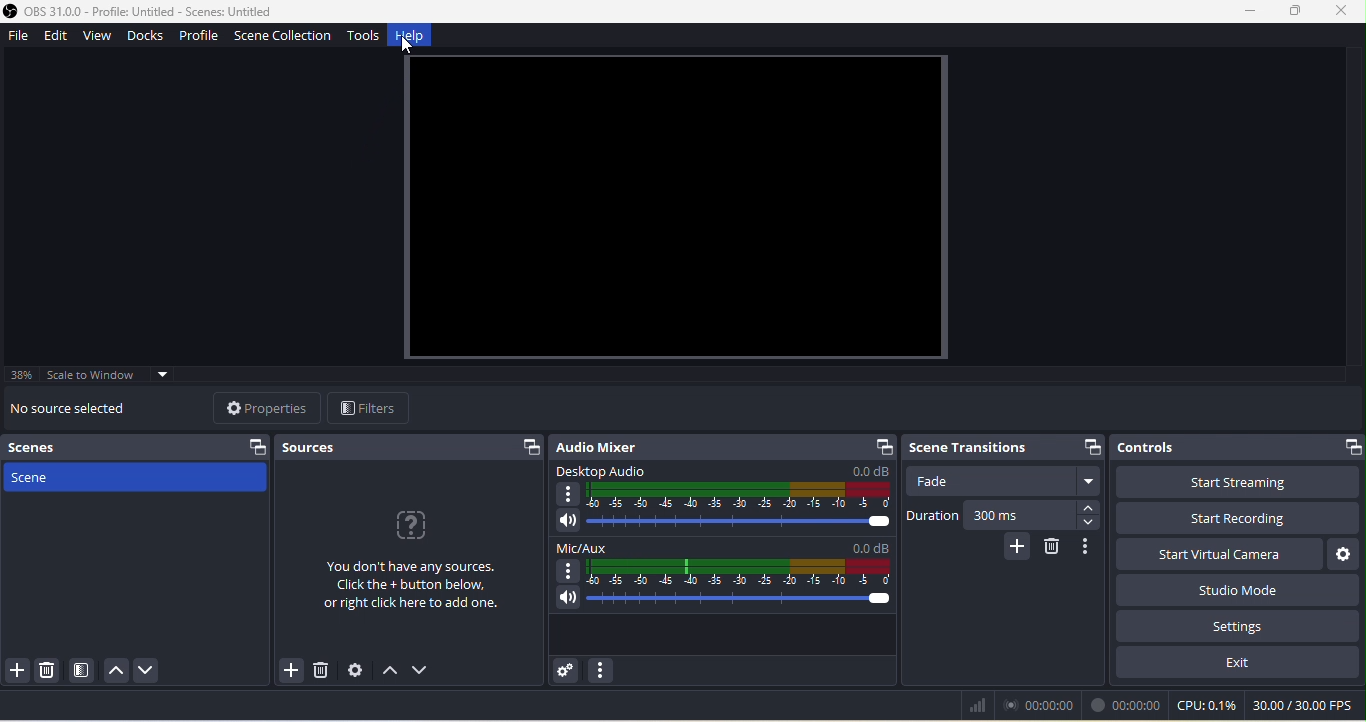  I want to click on audio mixer menu, so click(602, 671).